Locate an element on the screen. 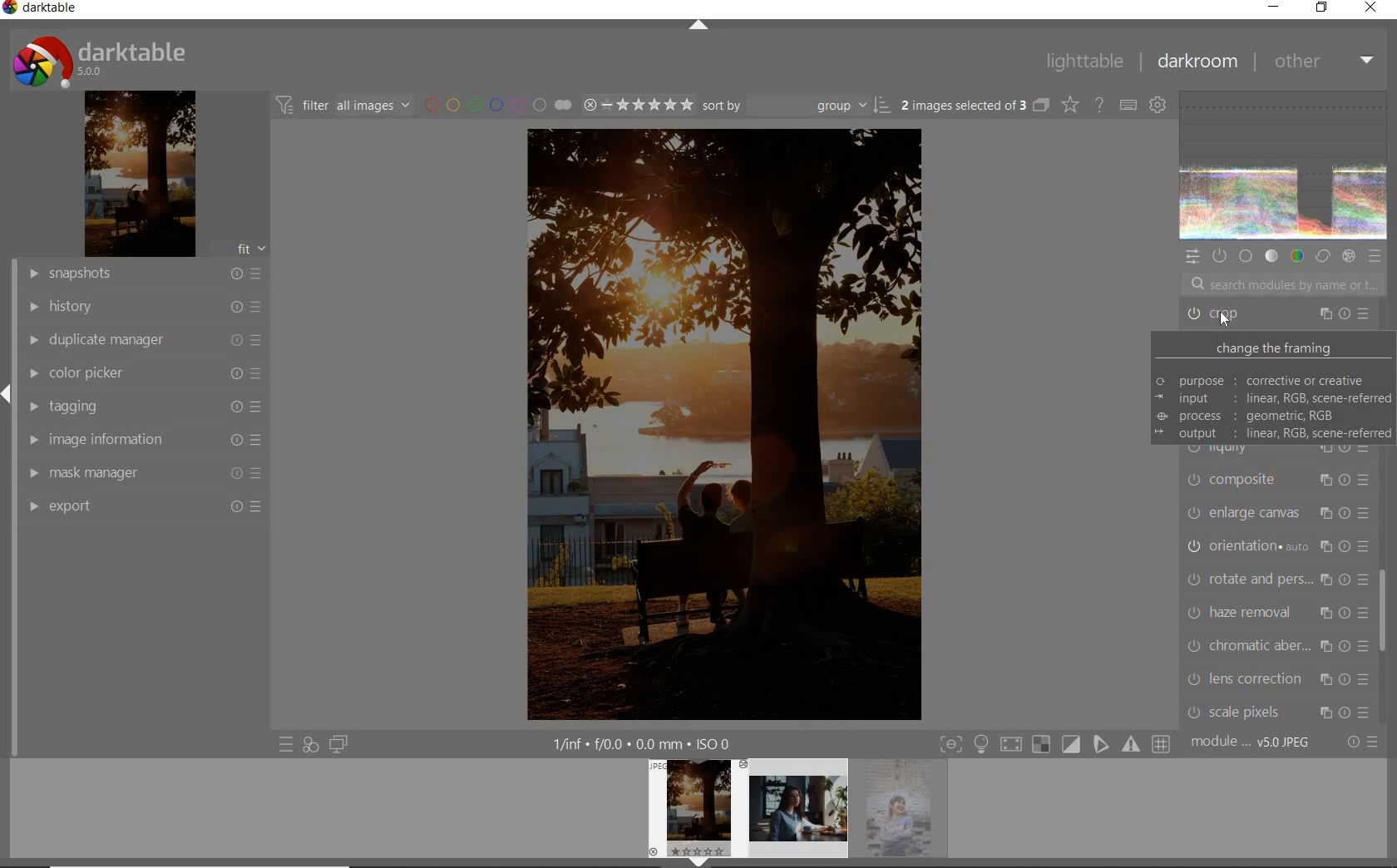  darkroom is located at coordinates (1197, 62).